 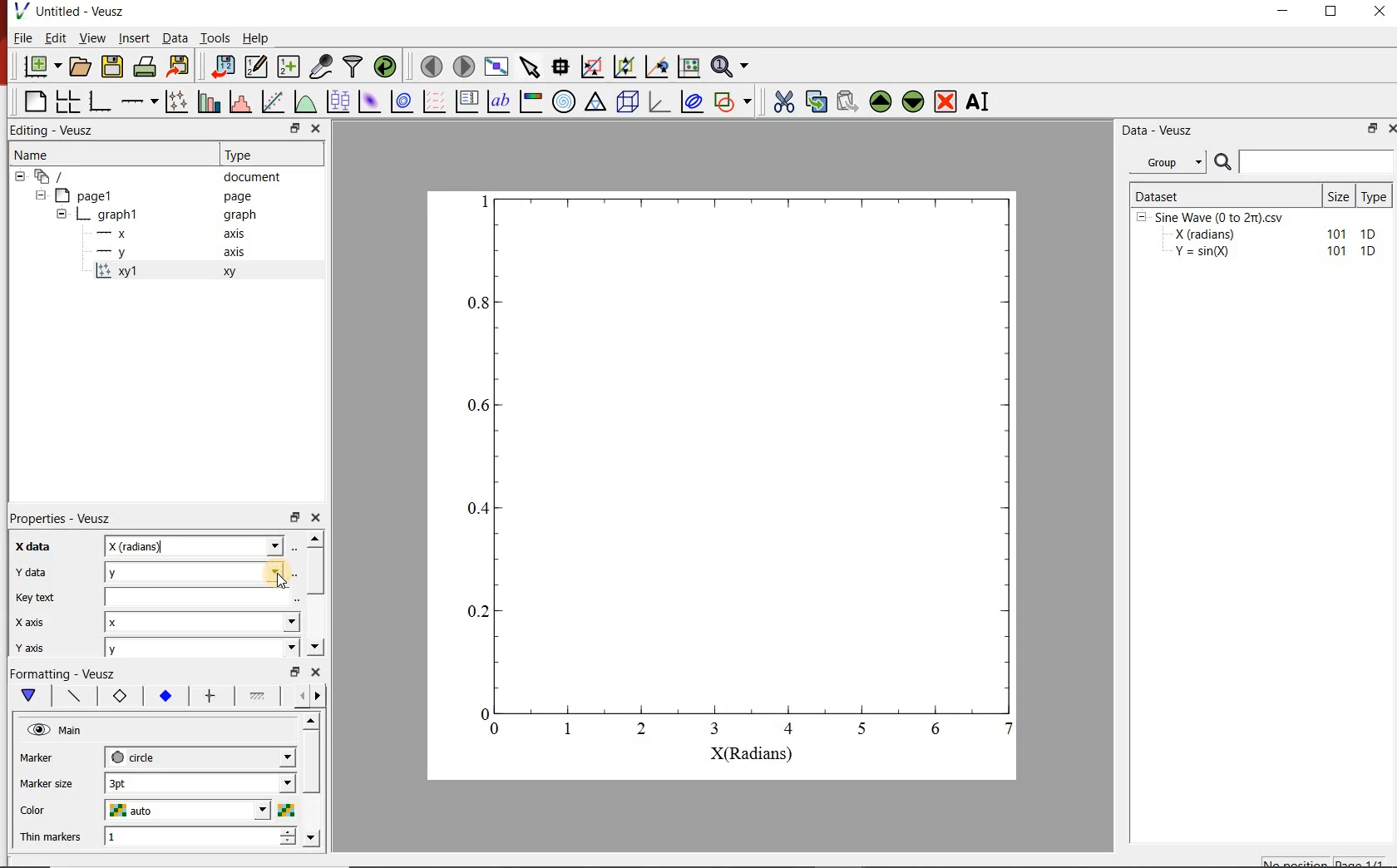 What do you see at coordinates (163, 697) in the screenshot?
I see `1.2` at bounding box center [163, 697].